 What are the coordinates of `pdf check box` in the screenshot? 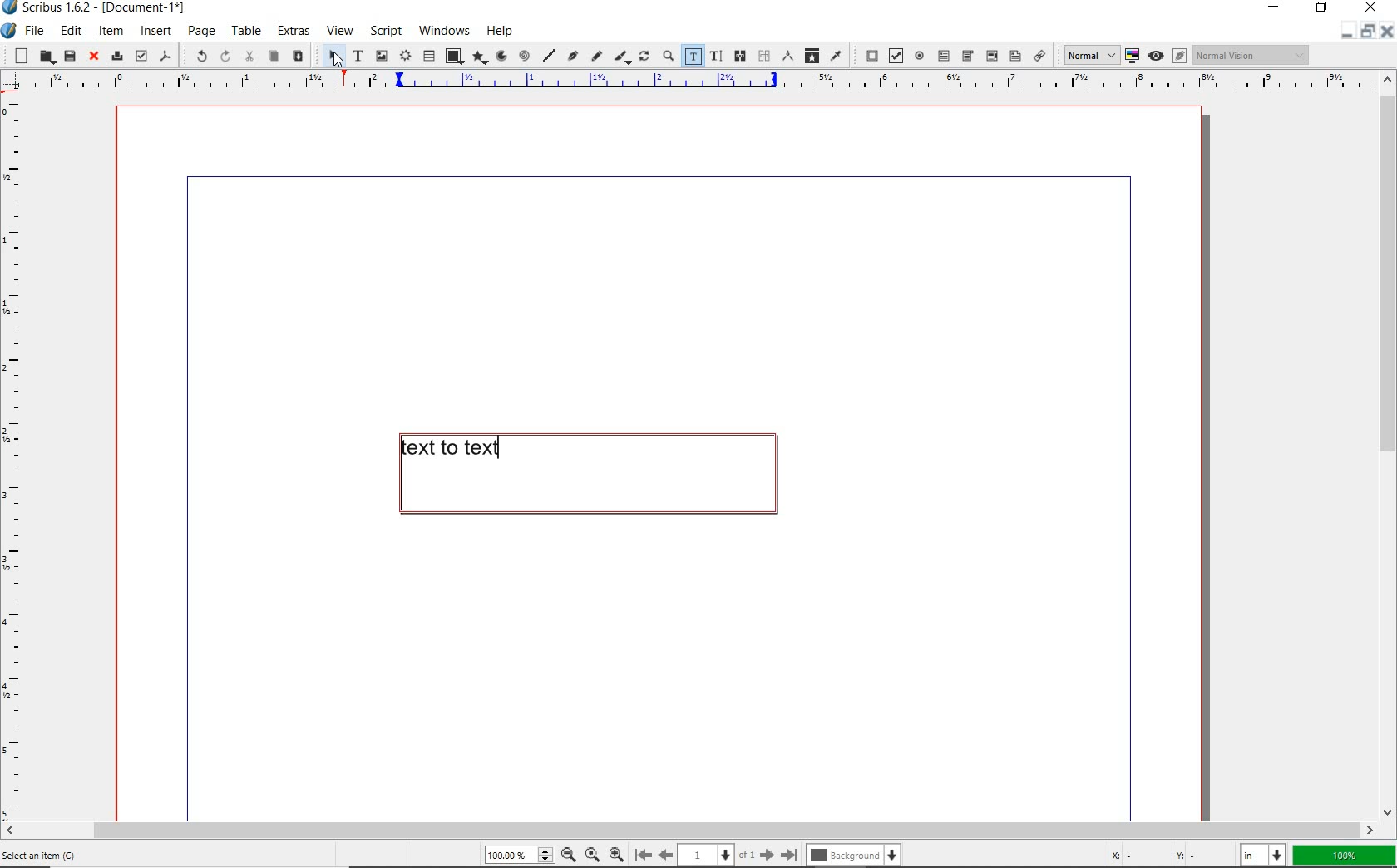 It's located at (895, 56).